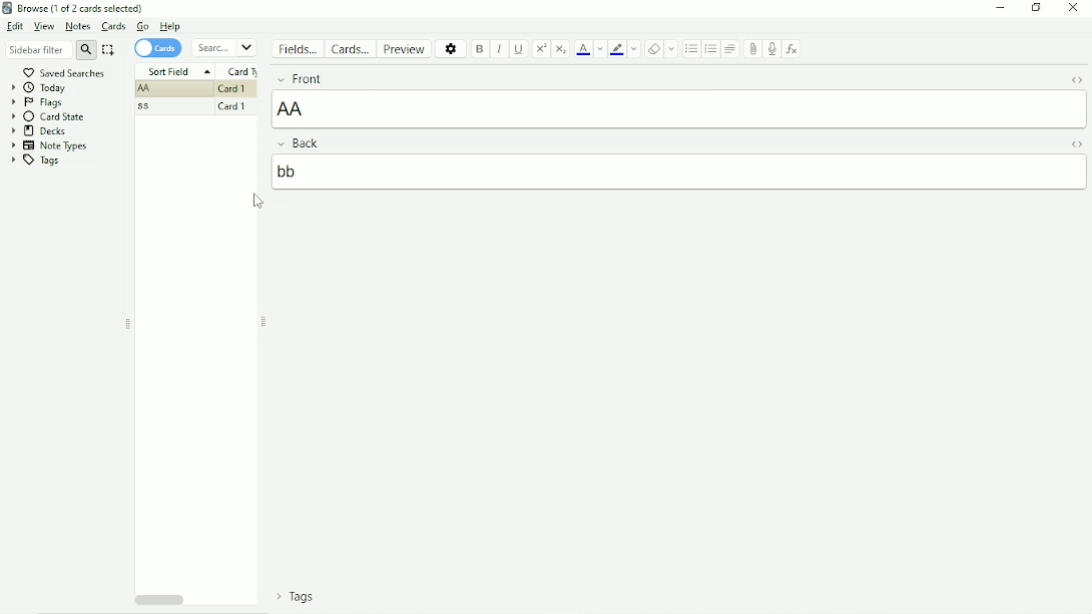 This screenshot has height=614, width=1092. What do you see at coordinates (774, 49) in the screenshot?
I see `Record audio` at bounding box center [774, 49].